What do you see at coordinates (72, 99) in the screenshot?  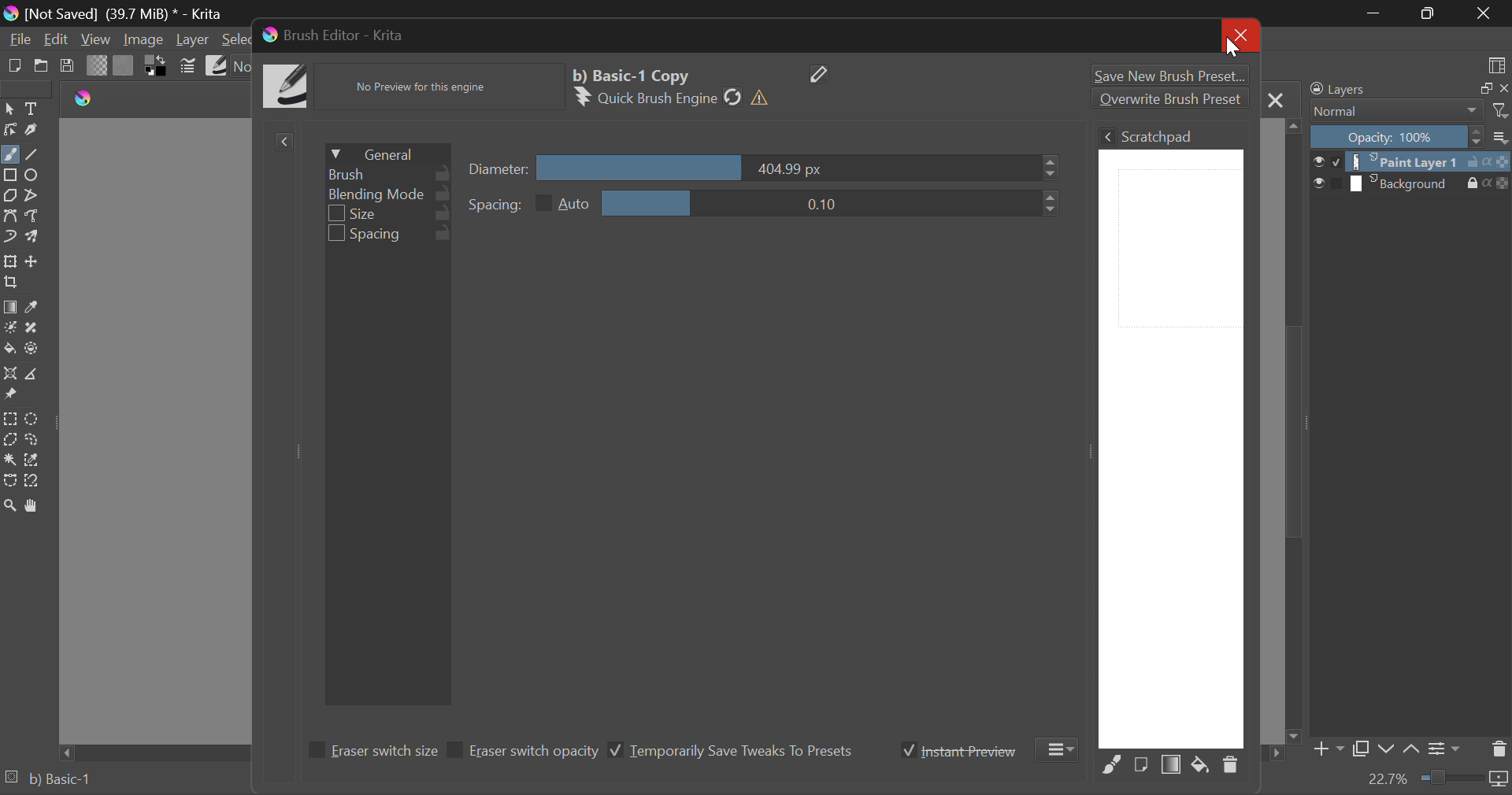 I see `logo` at bounding box center [72, 99].